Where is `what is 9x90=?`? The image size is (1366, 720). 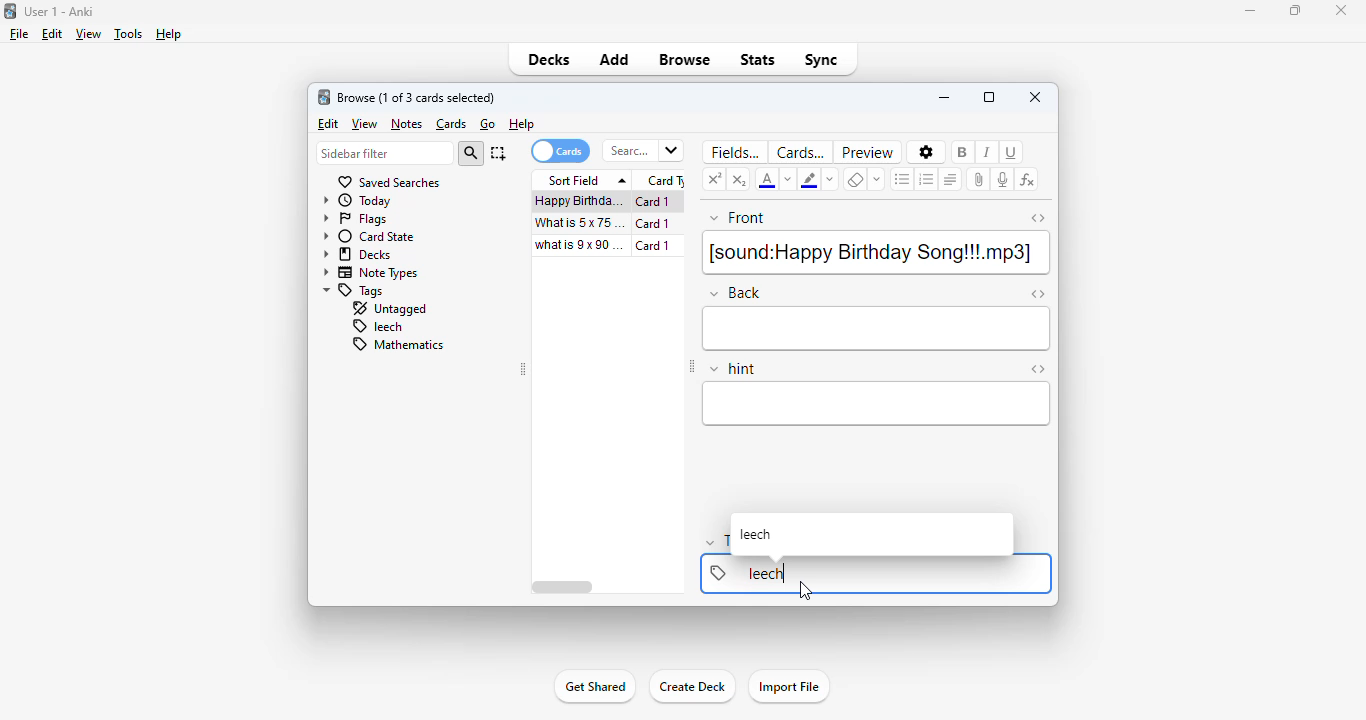 what is 9x90=? is located at coordinates (581, 245).